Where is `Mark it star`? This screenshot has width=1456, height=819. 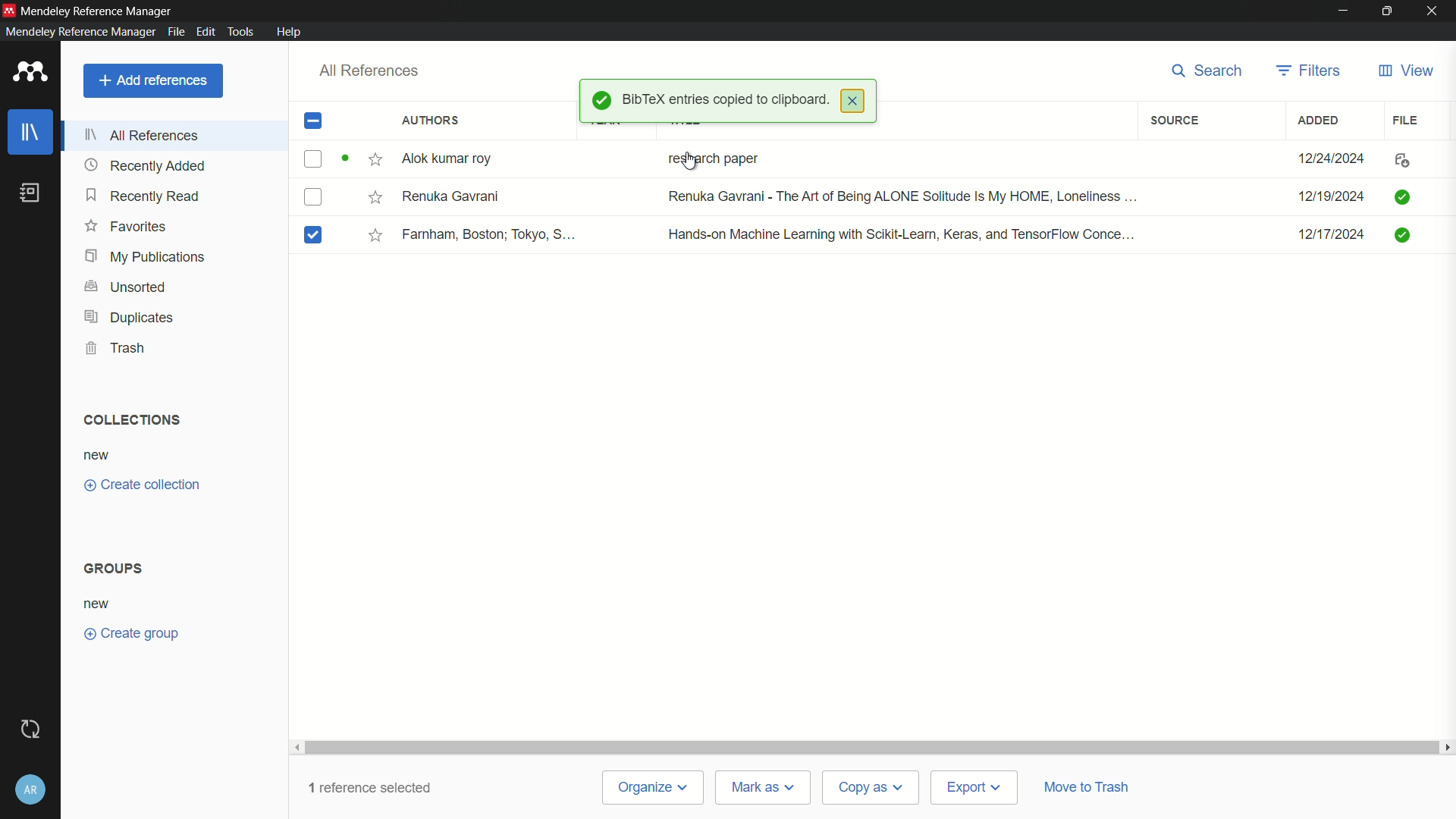 Mark it star is located at coordinates (374, 235).